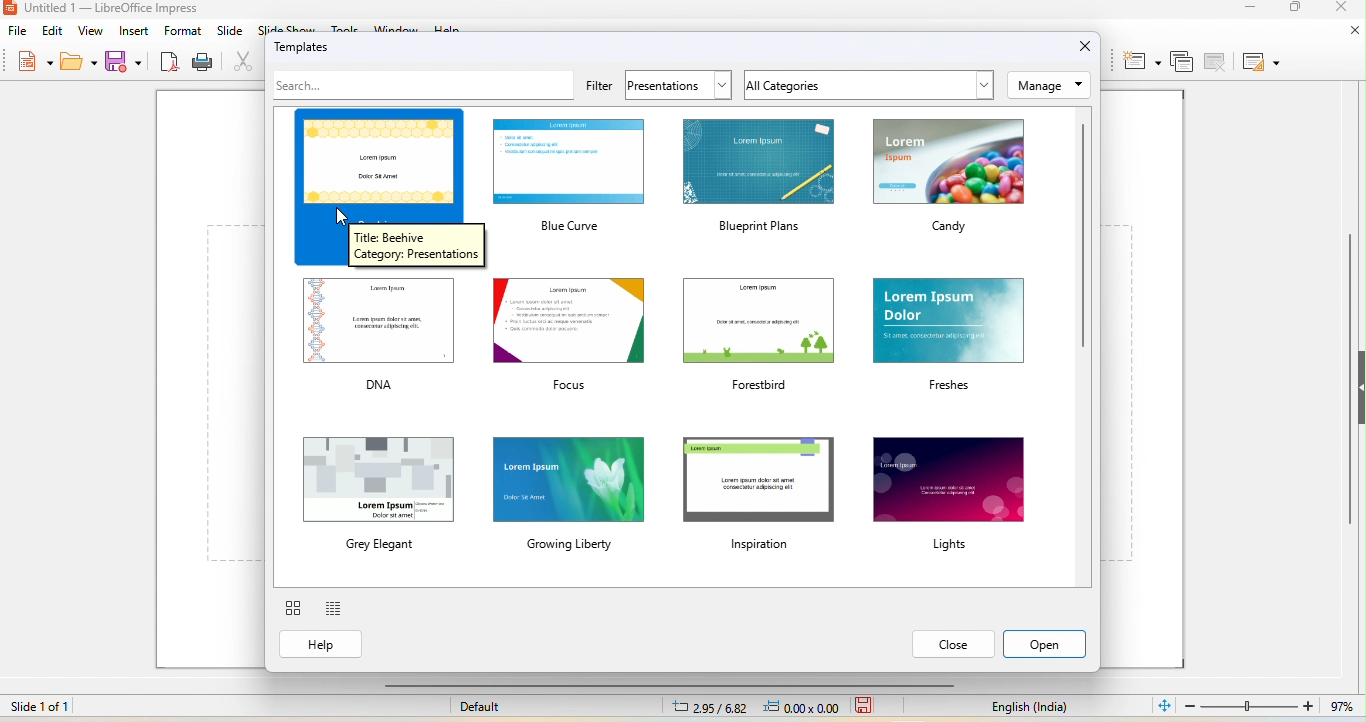  What do you see at coordinates (1349, 382) in the screenshot?
I see `vertical scroll bar` at bounding box center [1349, 382].